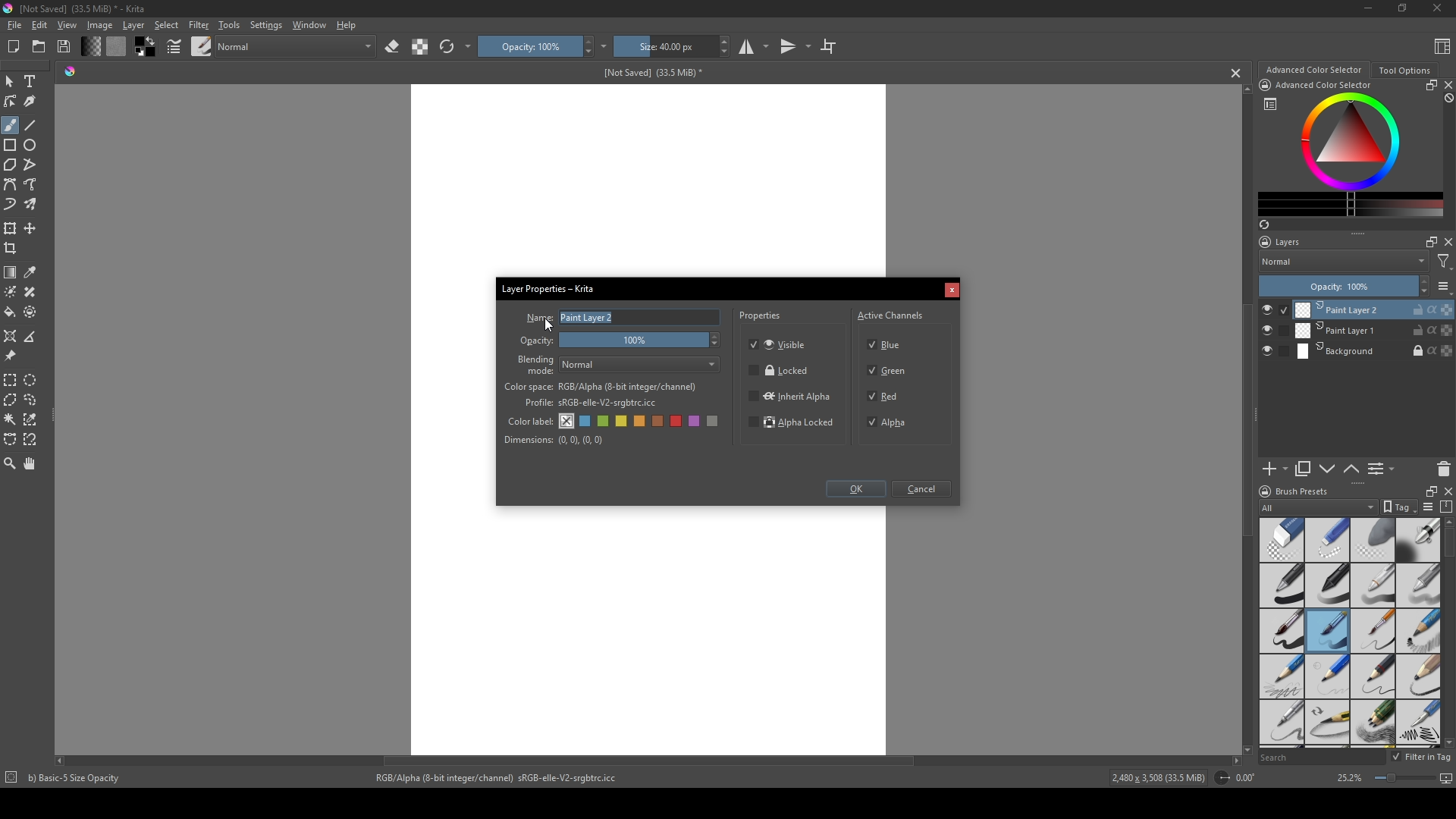  Describe the element at coordinates (1418, 585) in the screenshot. I see `grey pen` at that location.